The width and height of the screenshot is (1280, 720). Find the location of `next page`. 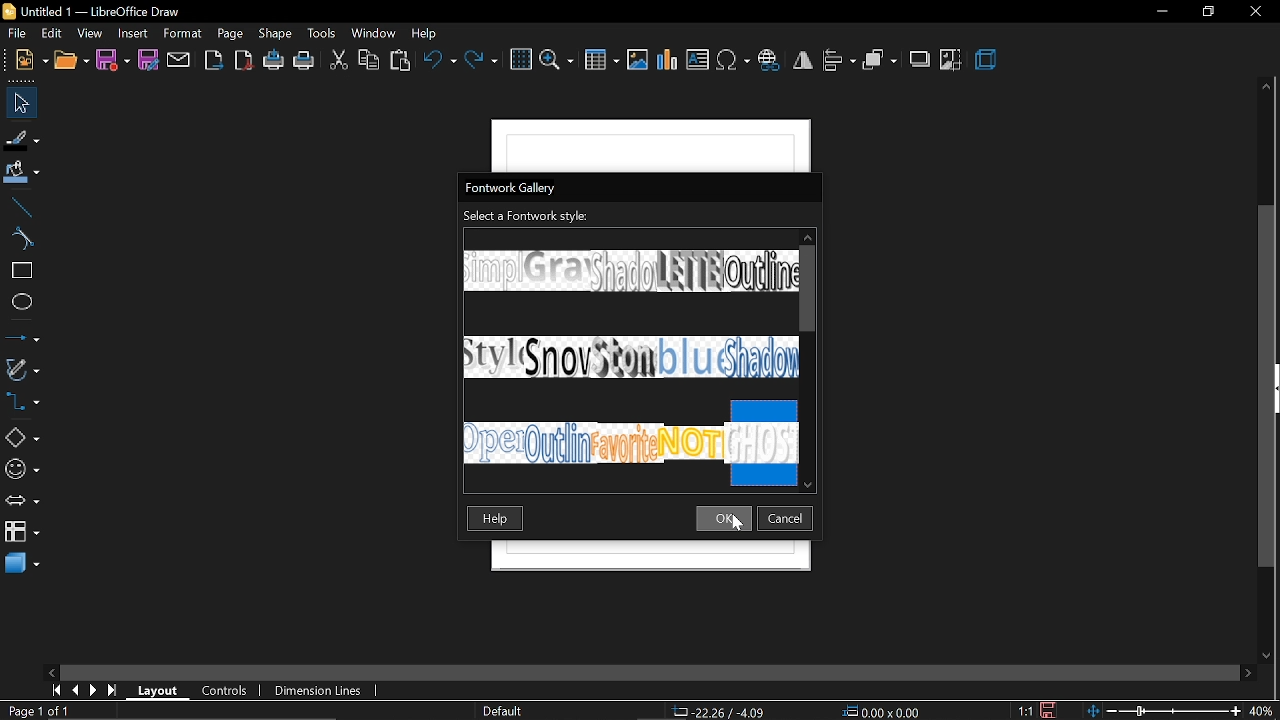

next page is located at coordinates (90, 690).